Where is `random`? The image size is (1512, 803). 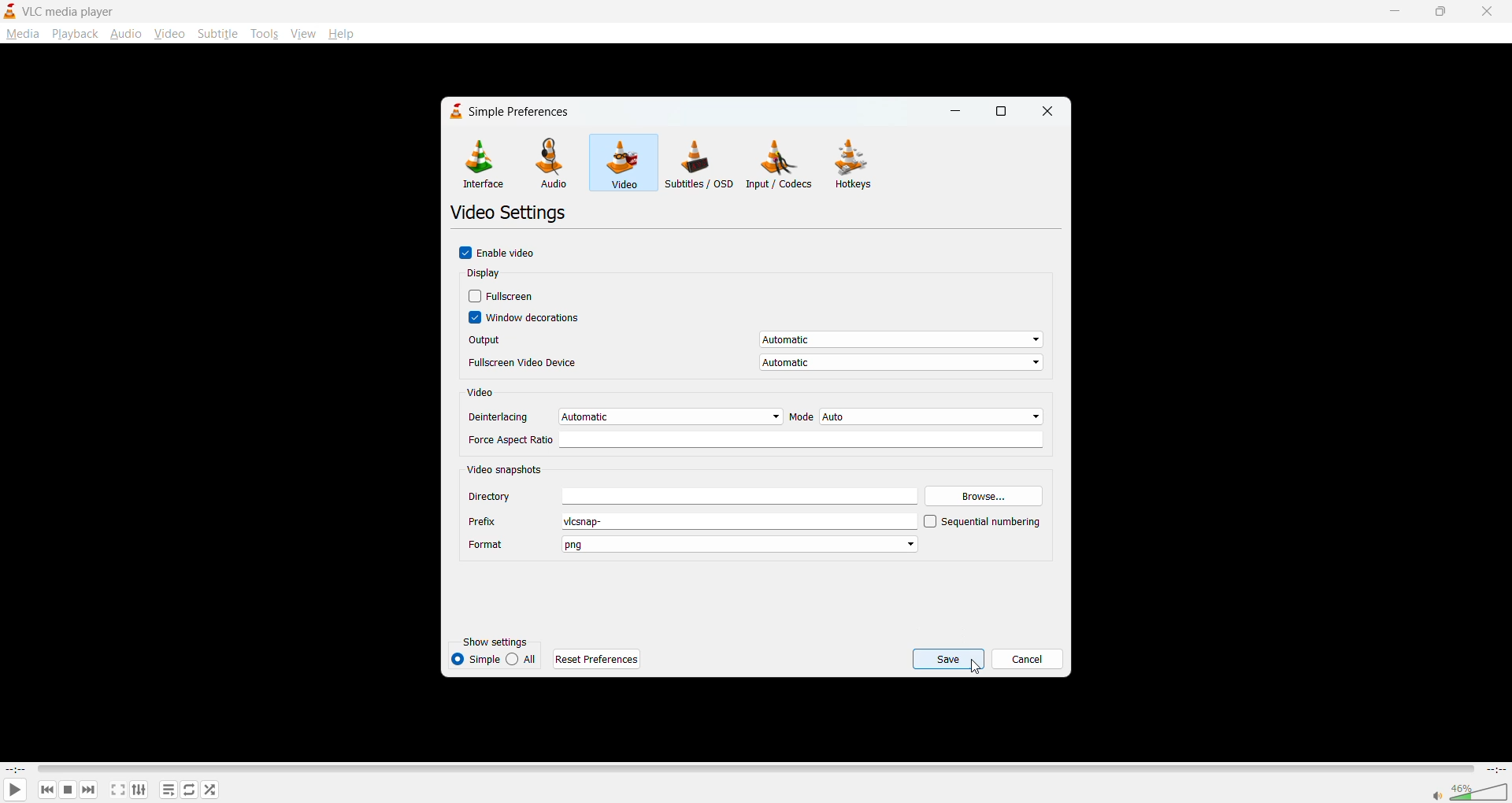
random is located at coordinates (208, 788).